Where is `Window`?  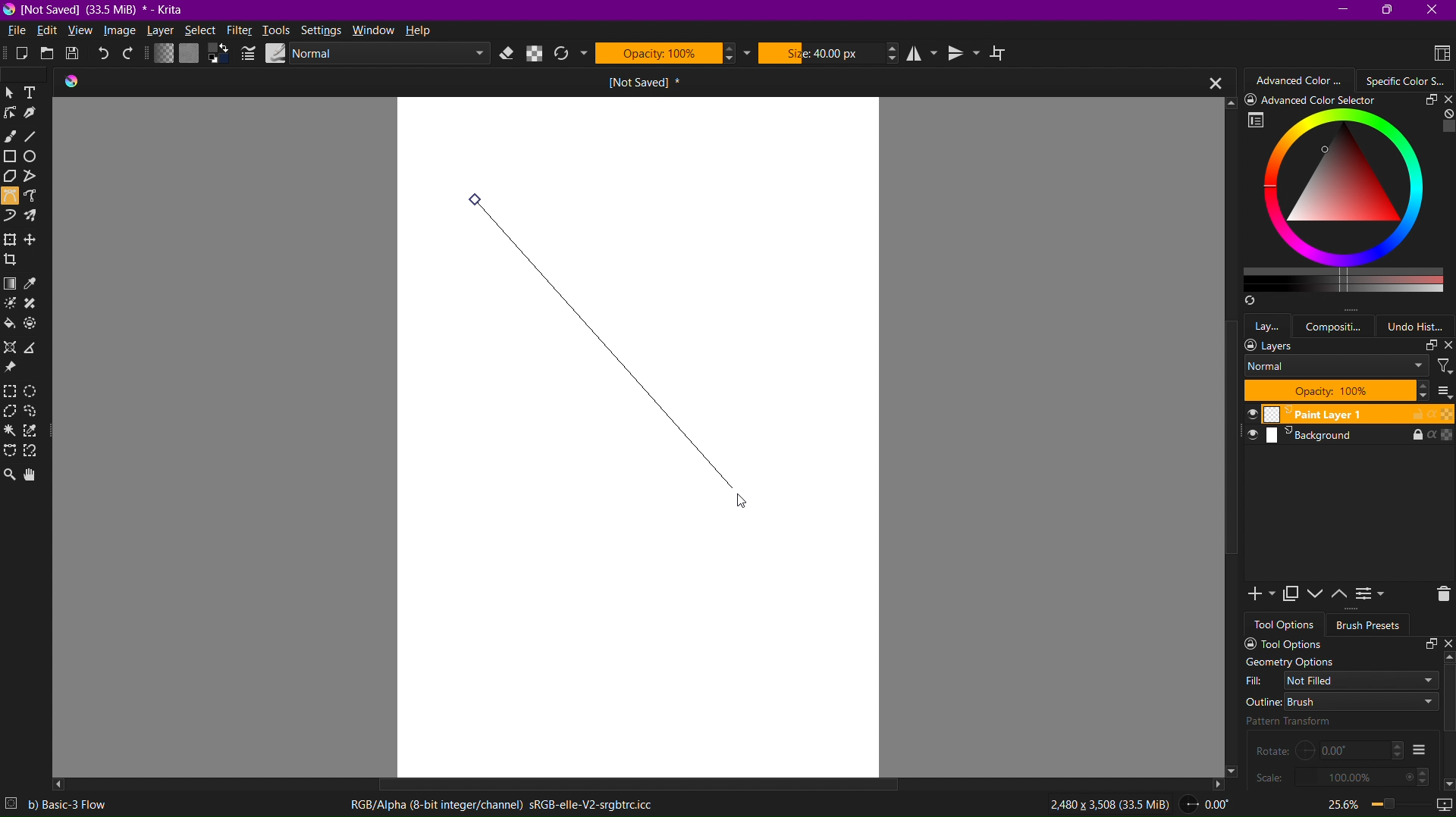 Window is located at coordinates (376, 30).